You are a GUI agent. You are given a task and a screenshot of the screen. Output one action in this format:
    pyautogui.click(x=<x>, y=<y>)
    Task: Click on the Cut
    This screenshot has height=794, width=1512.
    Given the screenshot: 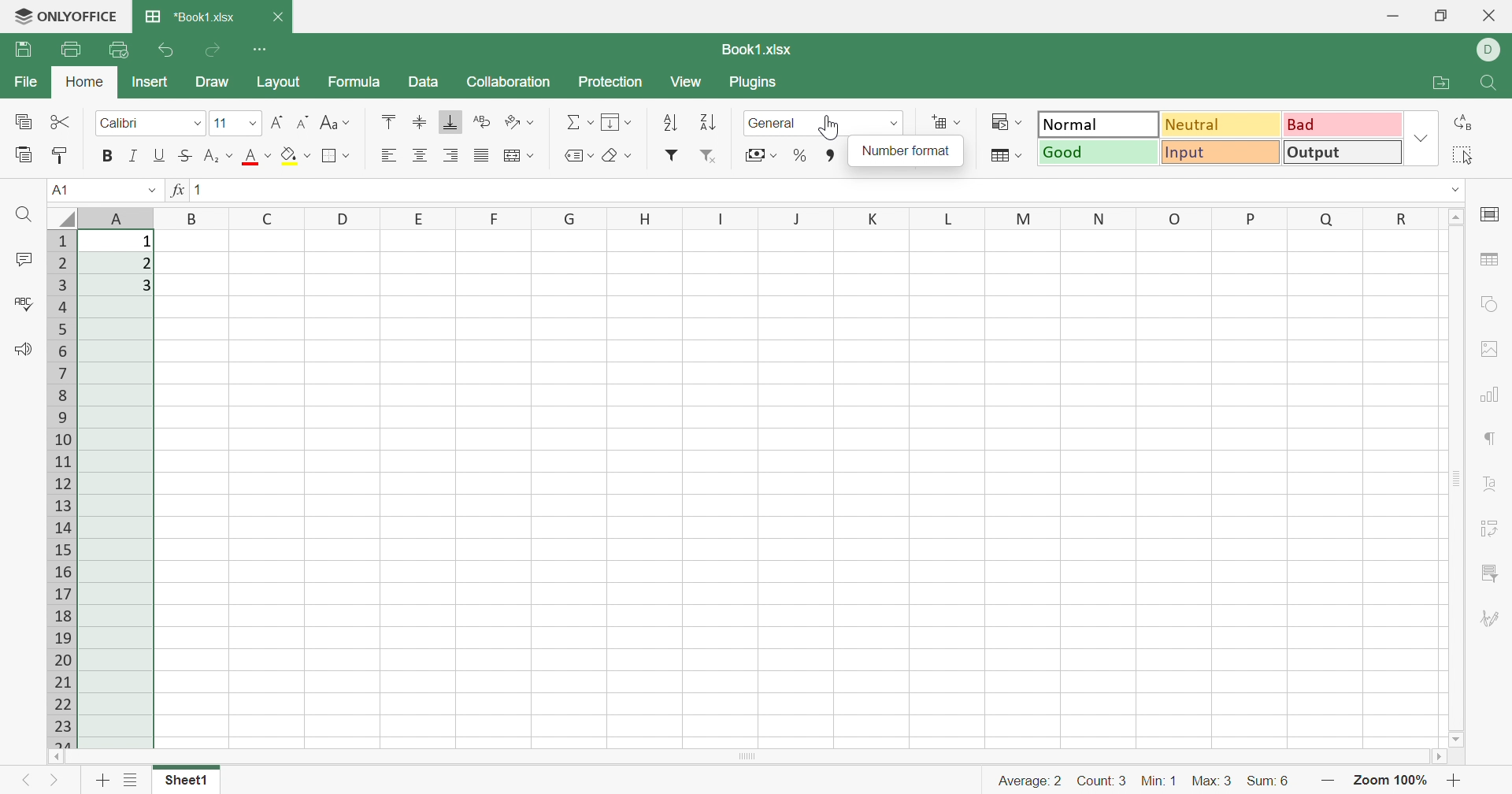 What is the action you would take?
    pyautogui.click(x=61, y=121)
    